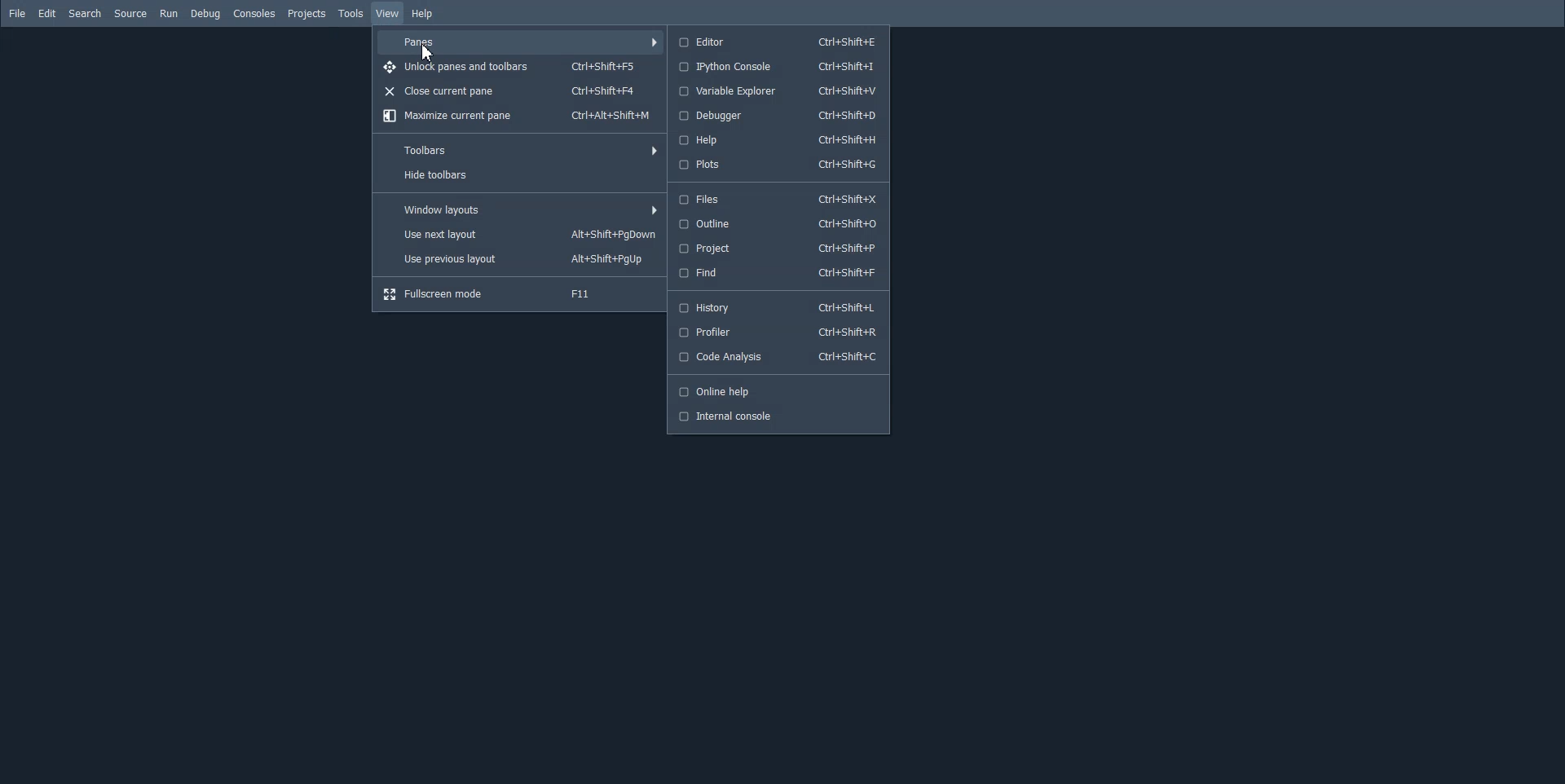 This screenshot has height=784, width=1565. I want to click on Use next layout, so click(521, 234).